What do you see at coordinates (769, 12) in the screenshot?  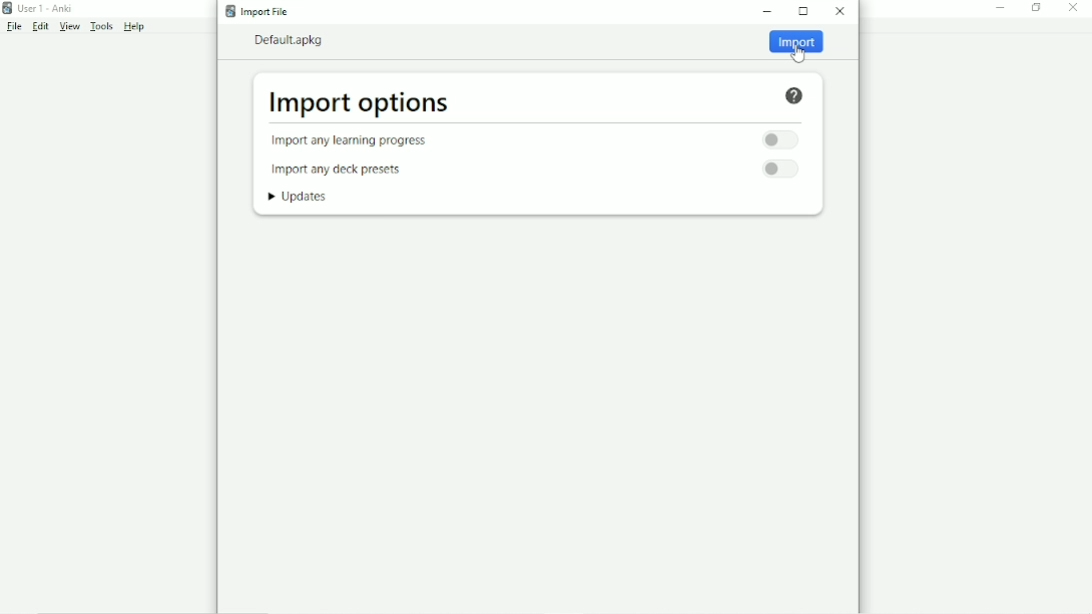 I see `Minimize` at bounding box center [769, 12].